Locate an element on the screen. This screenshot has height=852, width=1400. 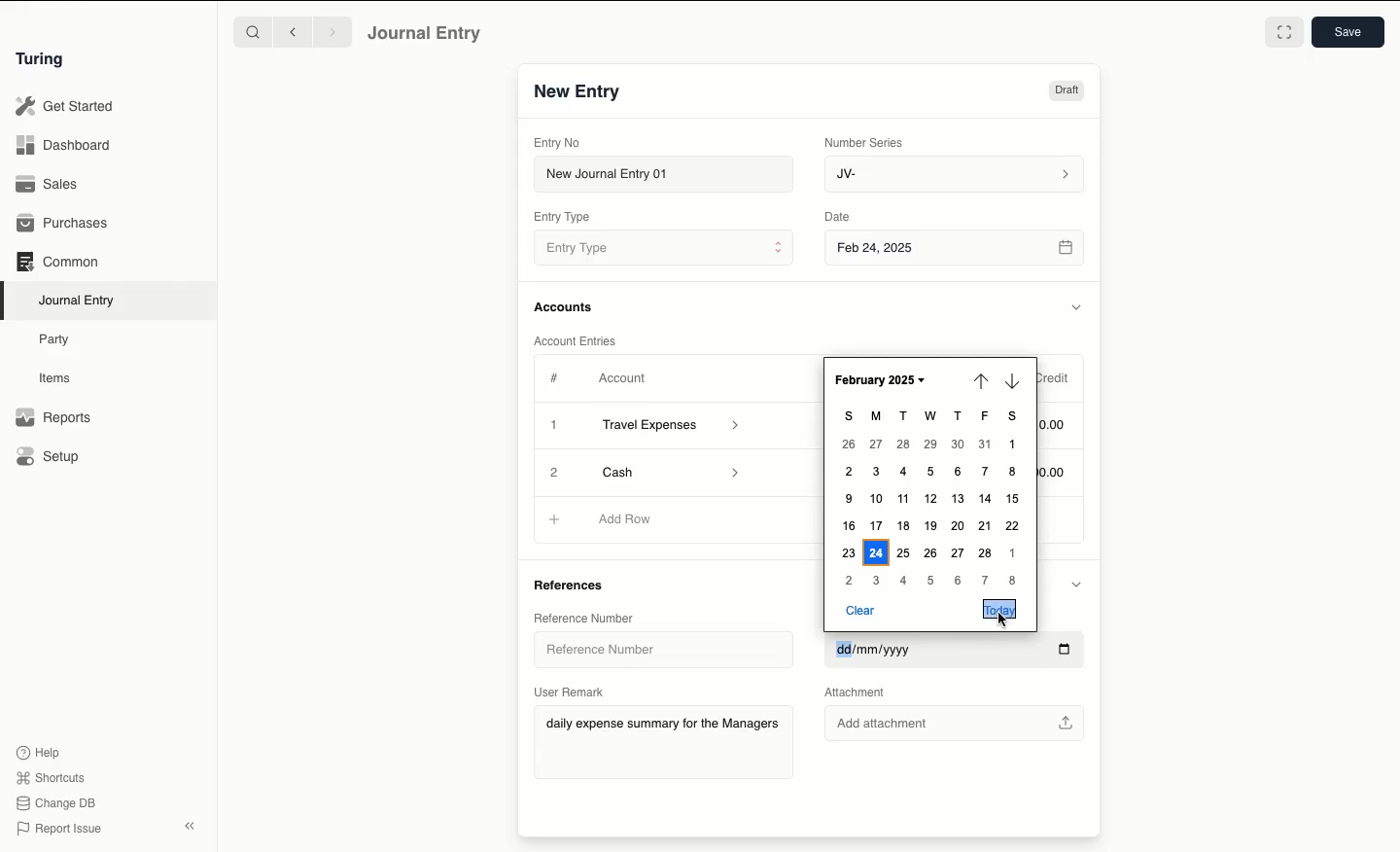
Reference Date is located at coordinates (955, 652).